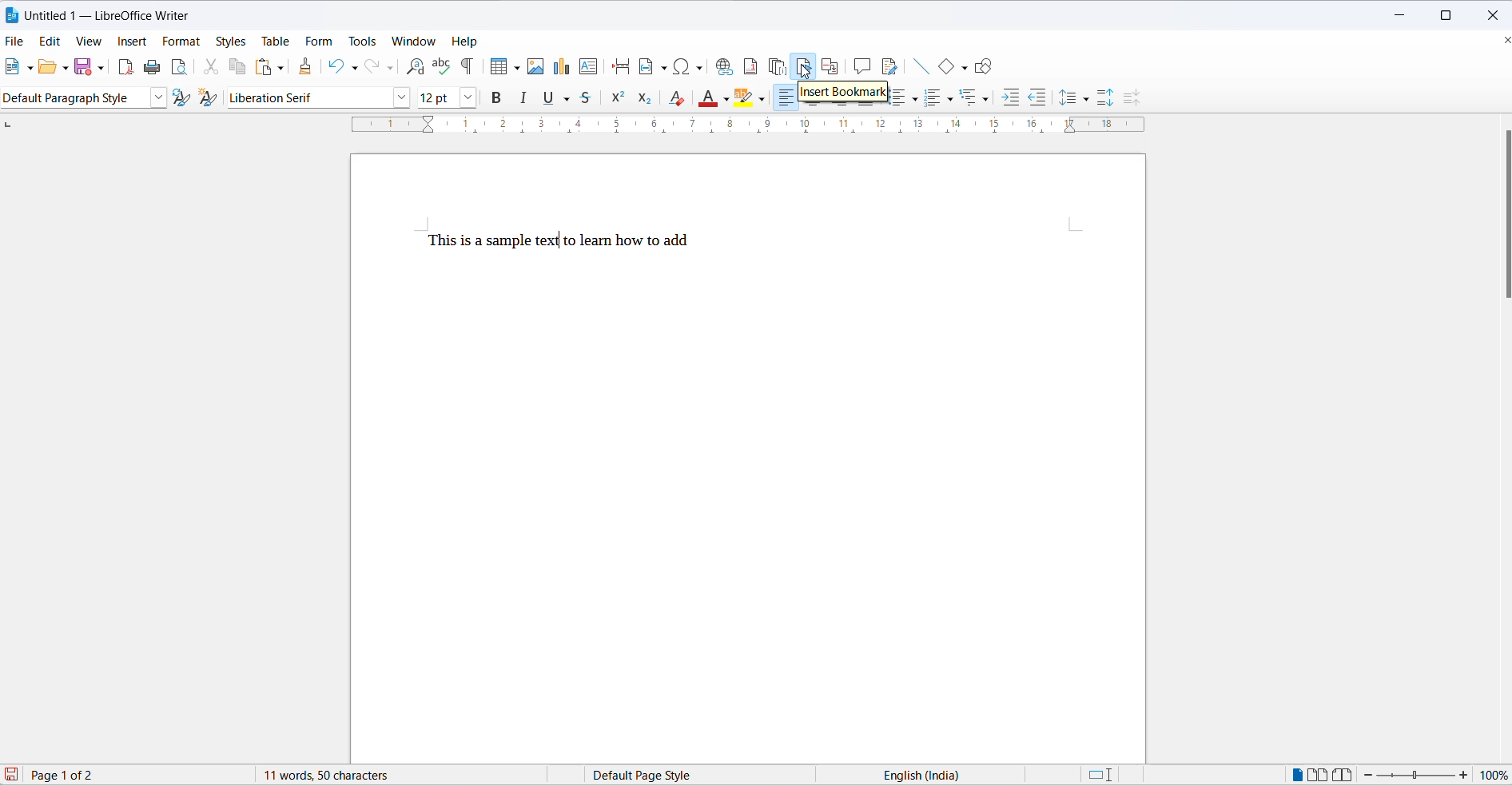 The width and height of the screenshot is (1512, 786). Describe the element at coordinates (618, 99) in the screenshot. I see `superscript` at that location.